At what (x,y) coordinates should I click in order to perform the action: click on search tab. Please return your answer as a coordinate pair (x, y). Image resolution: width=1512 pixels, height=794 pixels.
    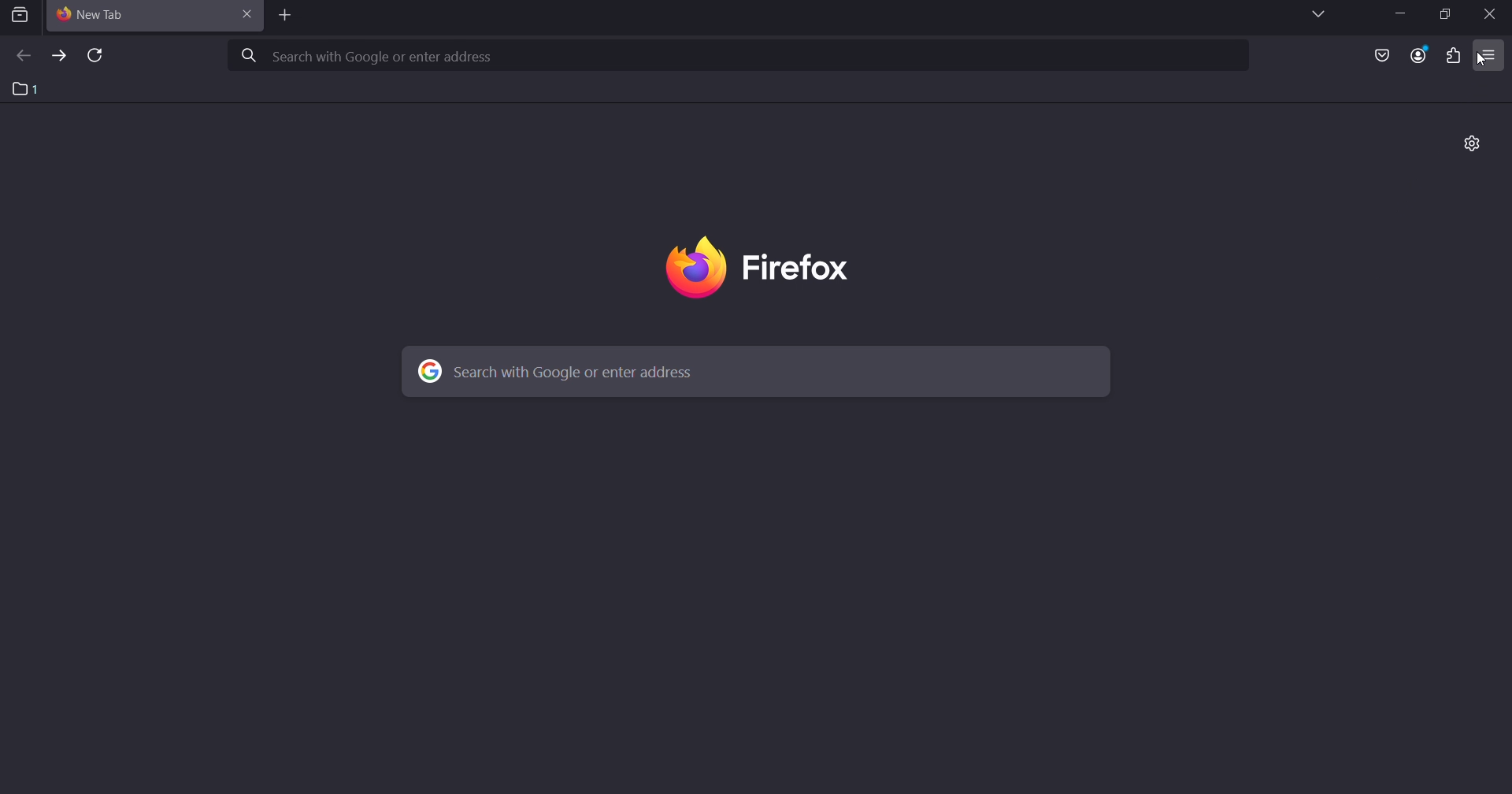
    Looking at the image, I should click on (20, 15).